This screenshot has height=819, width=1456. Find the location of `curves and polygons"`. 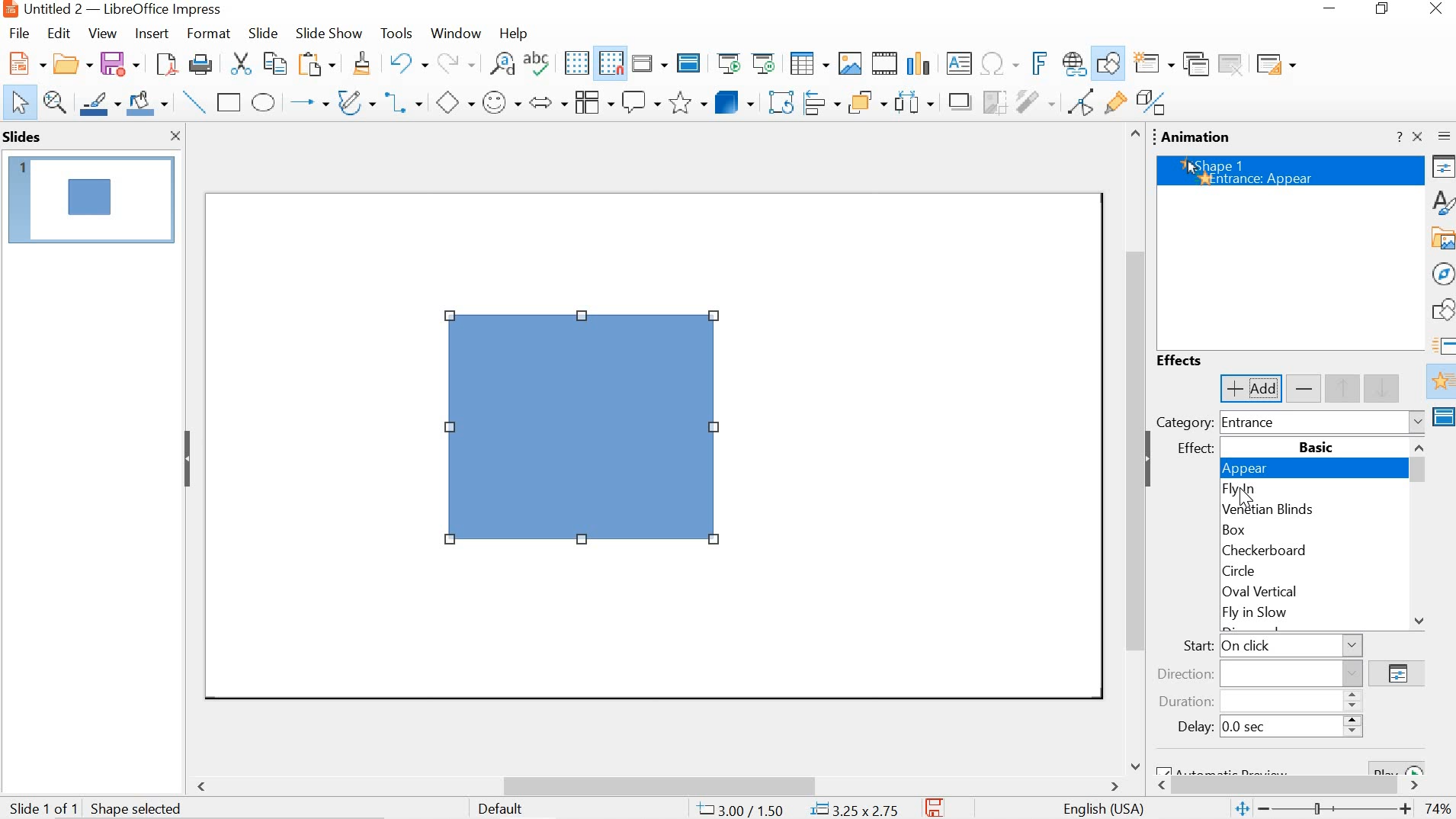

curves and polygons" is located at coordinates (354, 101).